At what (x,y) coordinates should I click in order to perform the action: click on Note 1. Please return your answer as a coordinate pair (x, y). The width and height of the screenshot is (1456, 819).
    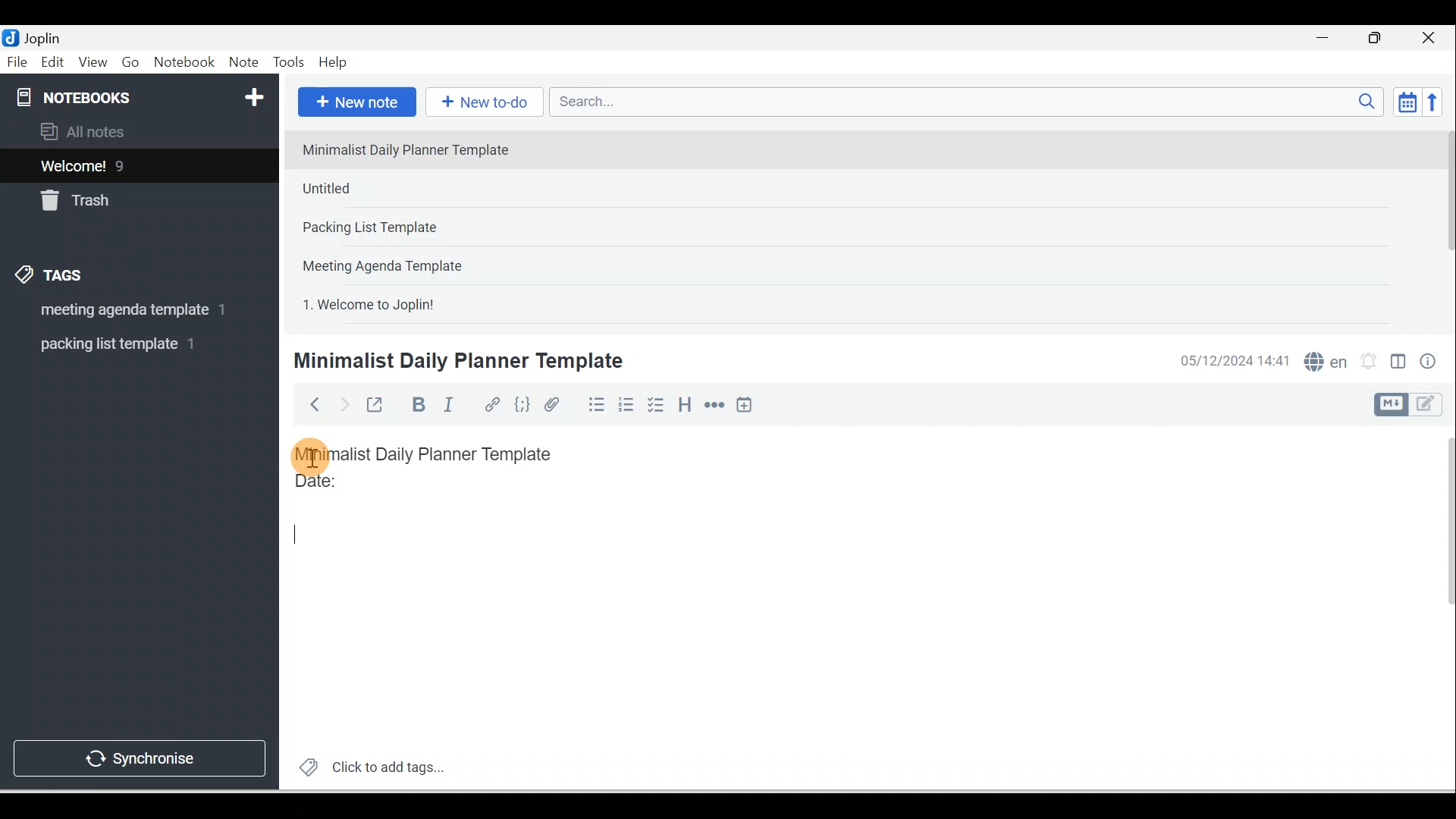
    Looking at the image, I should click on (416, 149).